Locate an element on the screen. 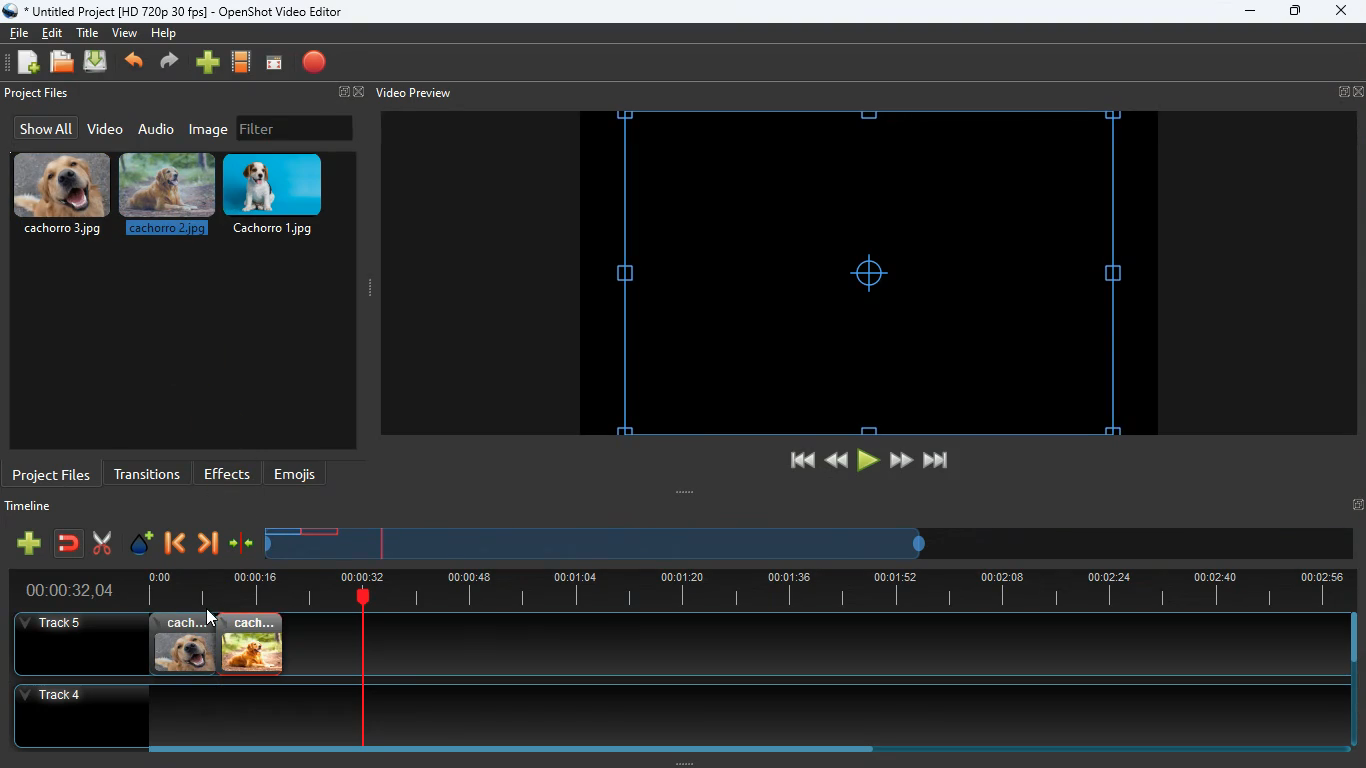  cachorro.2.jpg is located at coordinates (169, 199).